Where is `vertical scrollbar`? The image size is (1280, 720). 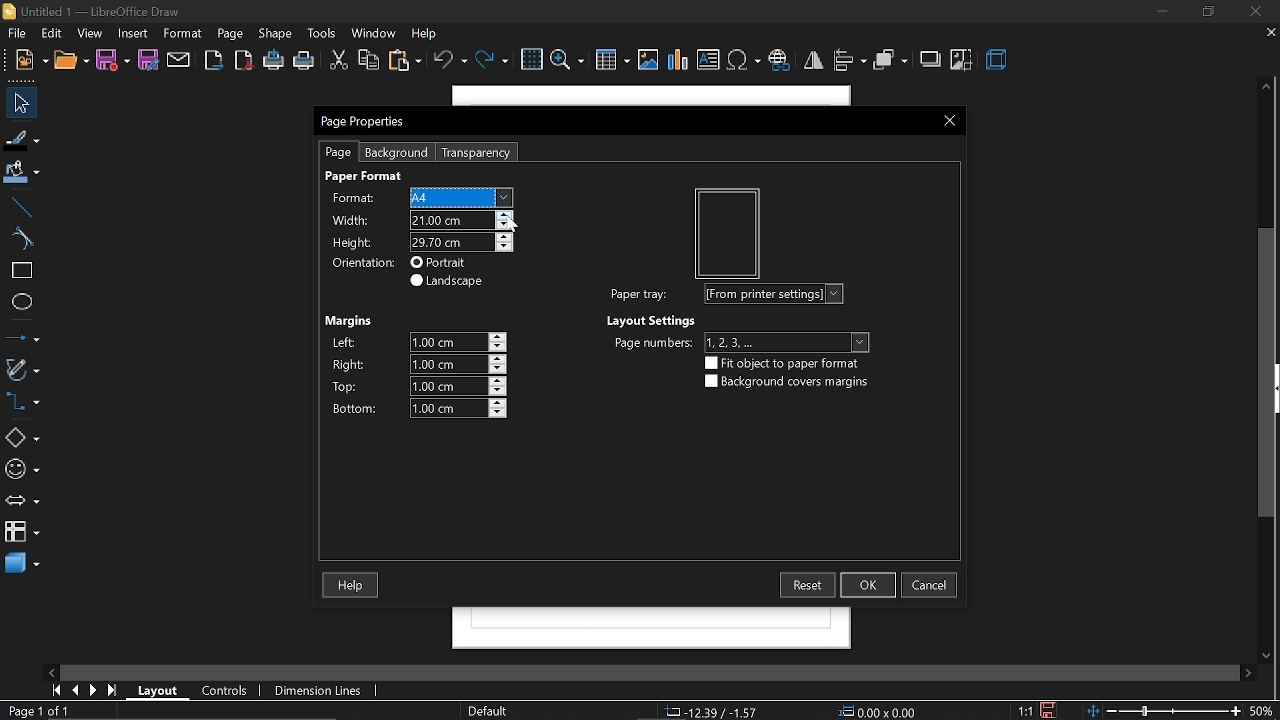
vertical scrollbar is located at coordinates (1269, 373).